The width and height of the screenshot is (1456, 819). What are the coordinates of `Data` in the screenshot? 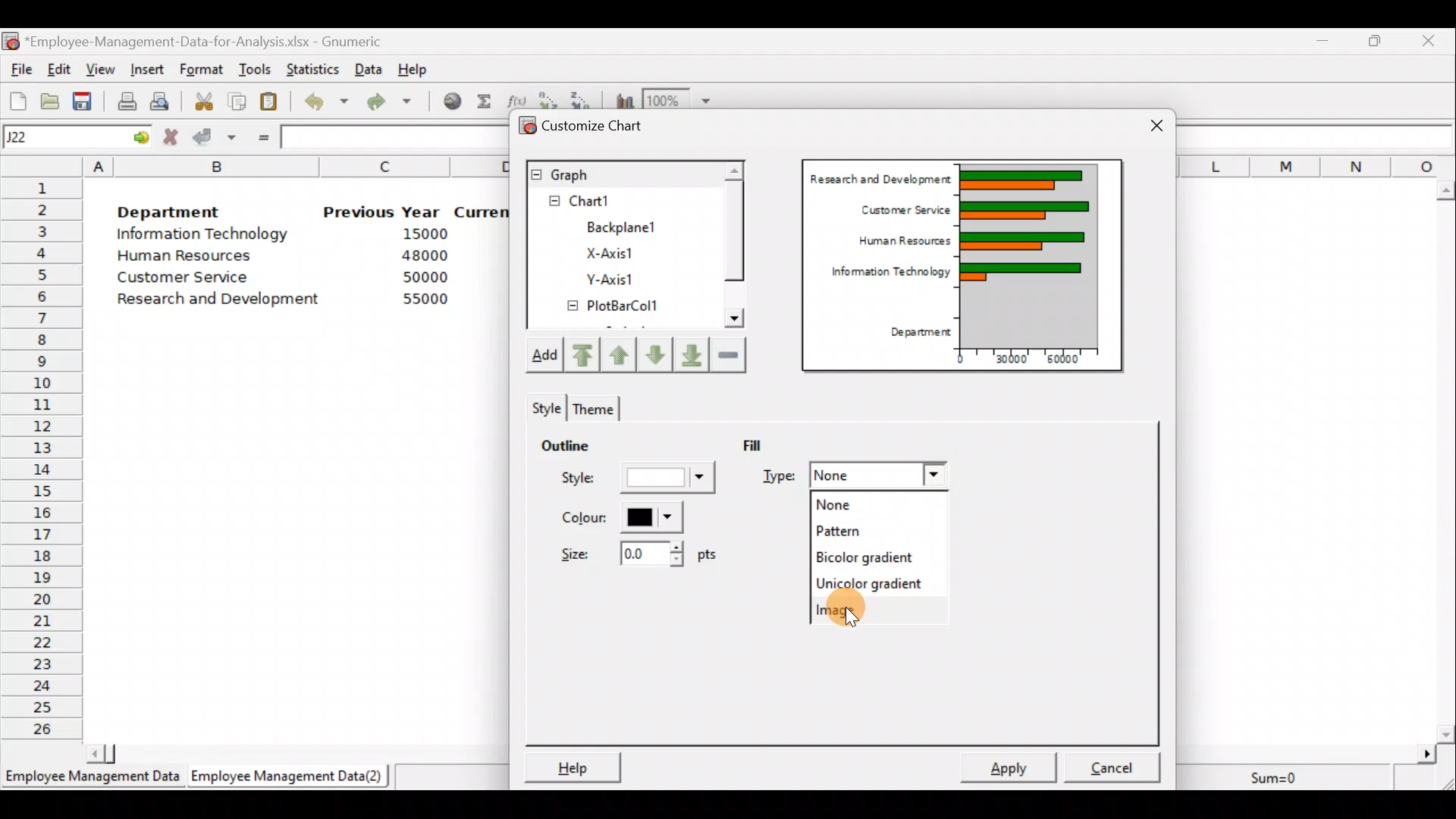 It's located at (369, 67).